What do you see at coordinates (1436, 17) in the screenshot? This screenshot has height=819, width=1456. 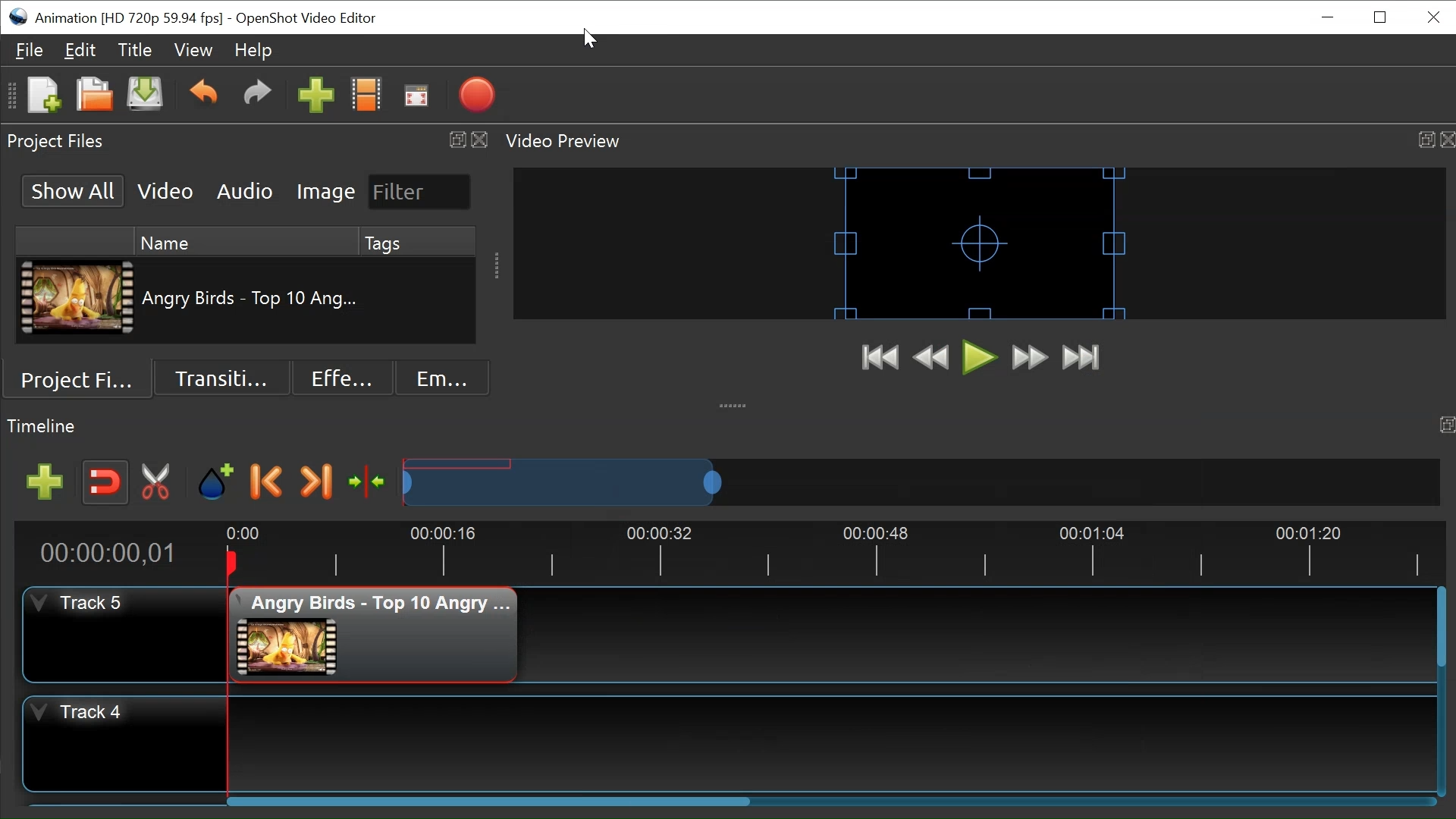 I see `Close` at bounding box center [1436, 17].